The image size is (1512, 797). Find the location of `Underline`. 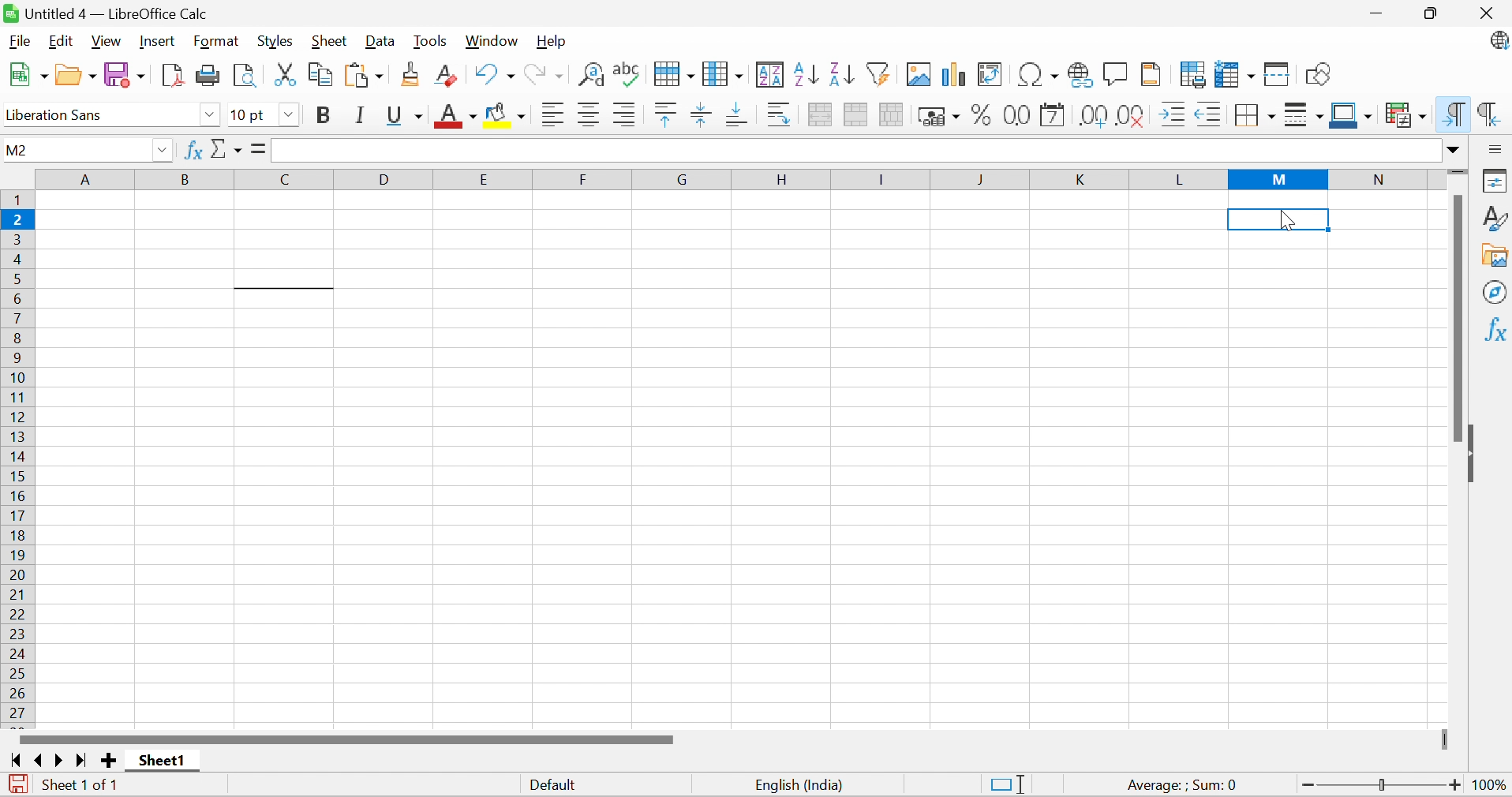

Underline is located at coordinates (405, 117).